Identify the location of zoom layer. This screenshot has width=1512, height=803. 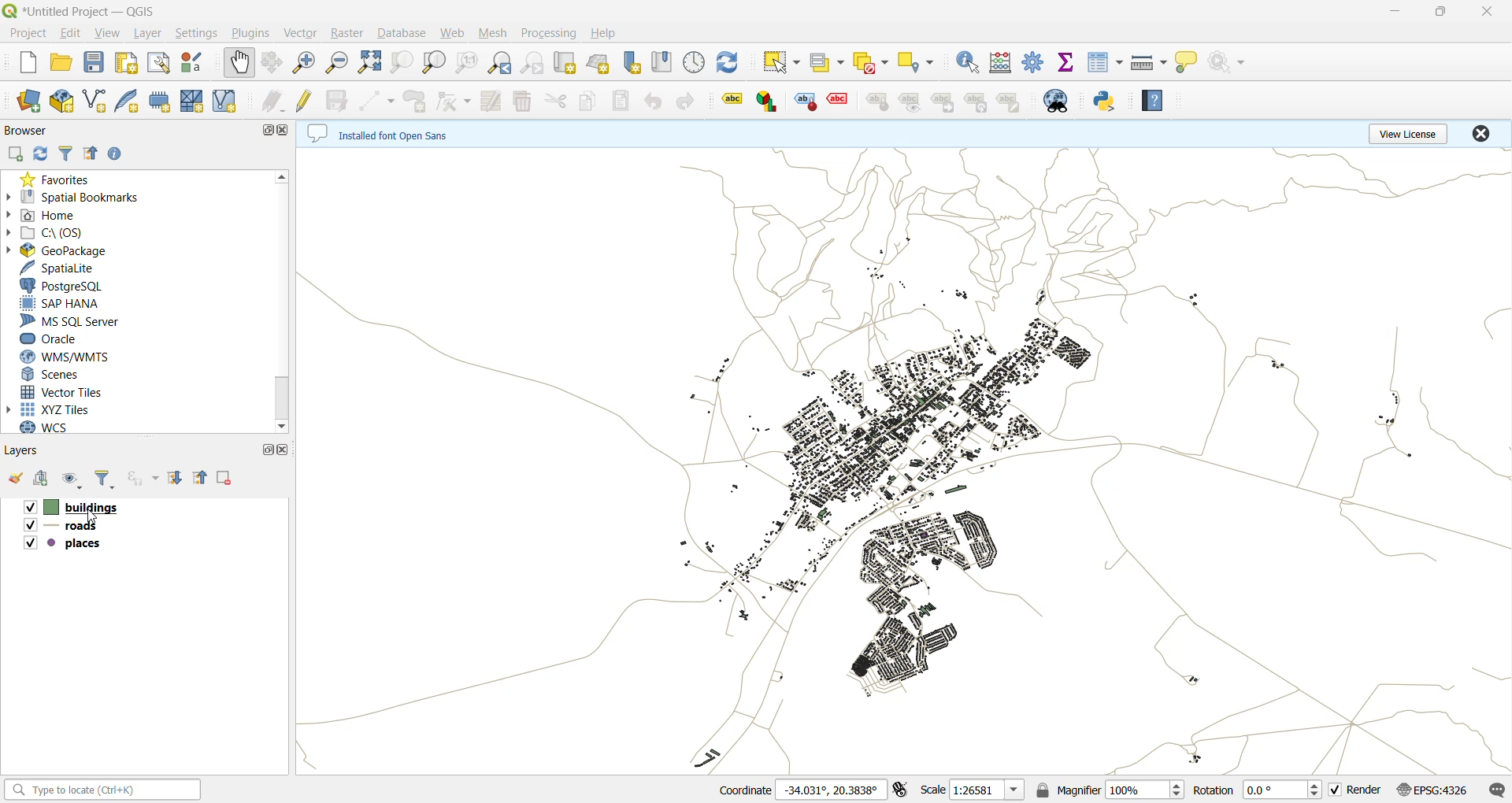
(435, 61).